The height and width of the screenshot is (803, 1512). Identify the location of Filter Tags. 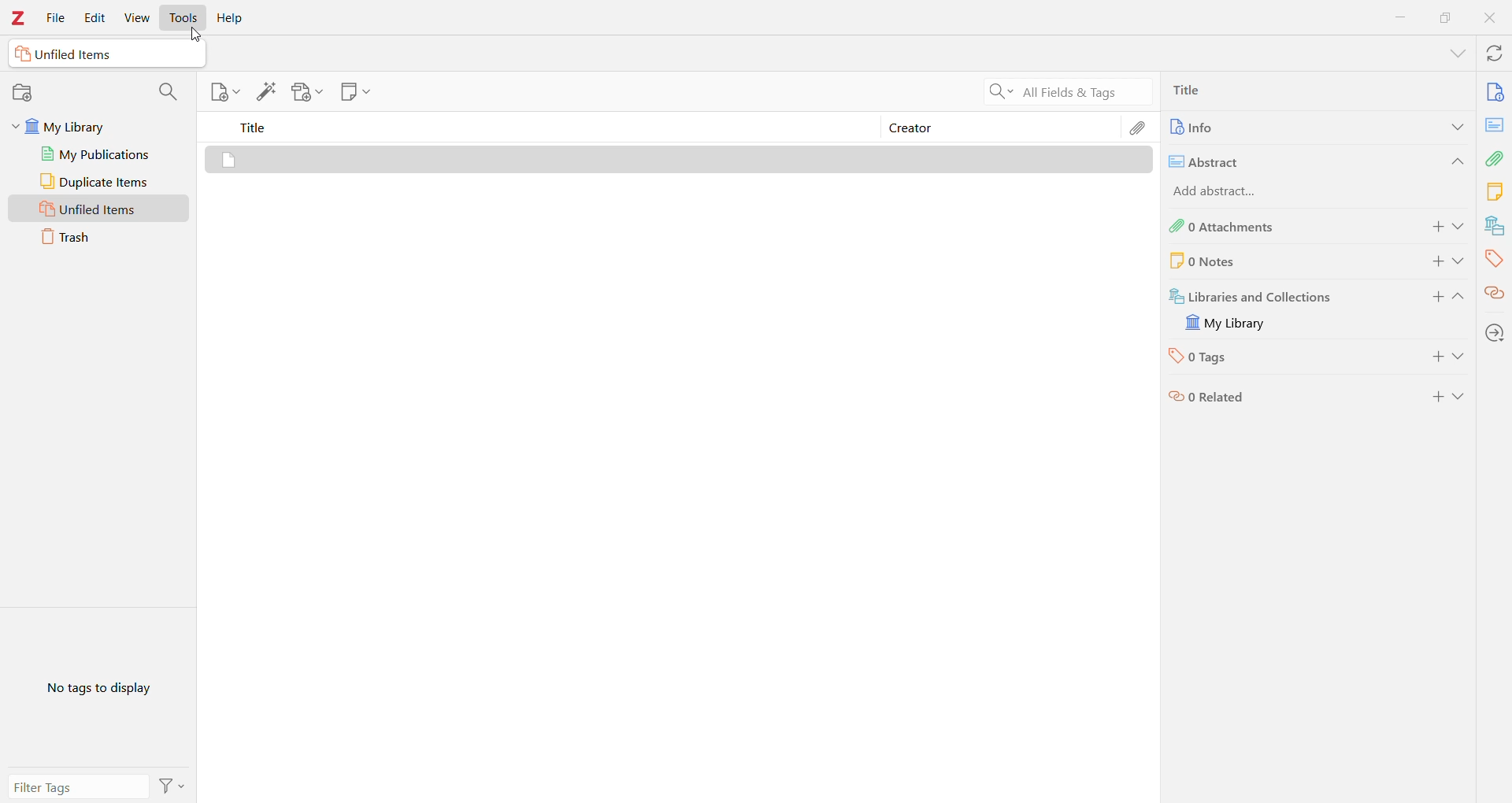
(78, 787).